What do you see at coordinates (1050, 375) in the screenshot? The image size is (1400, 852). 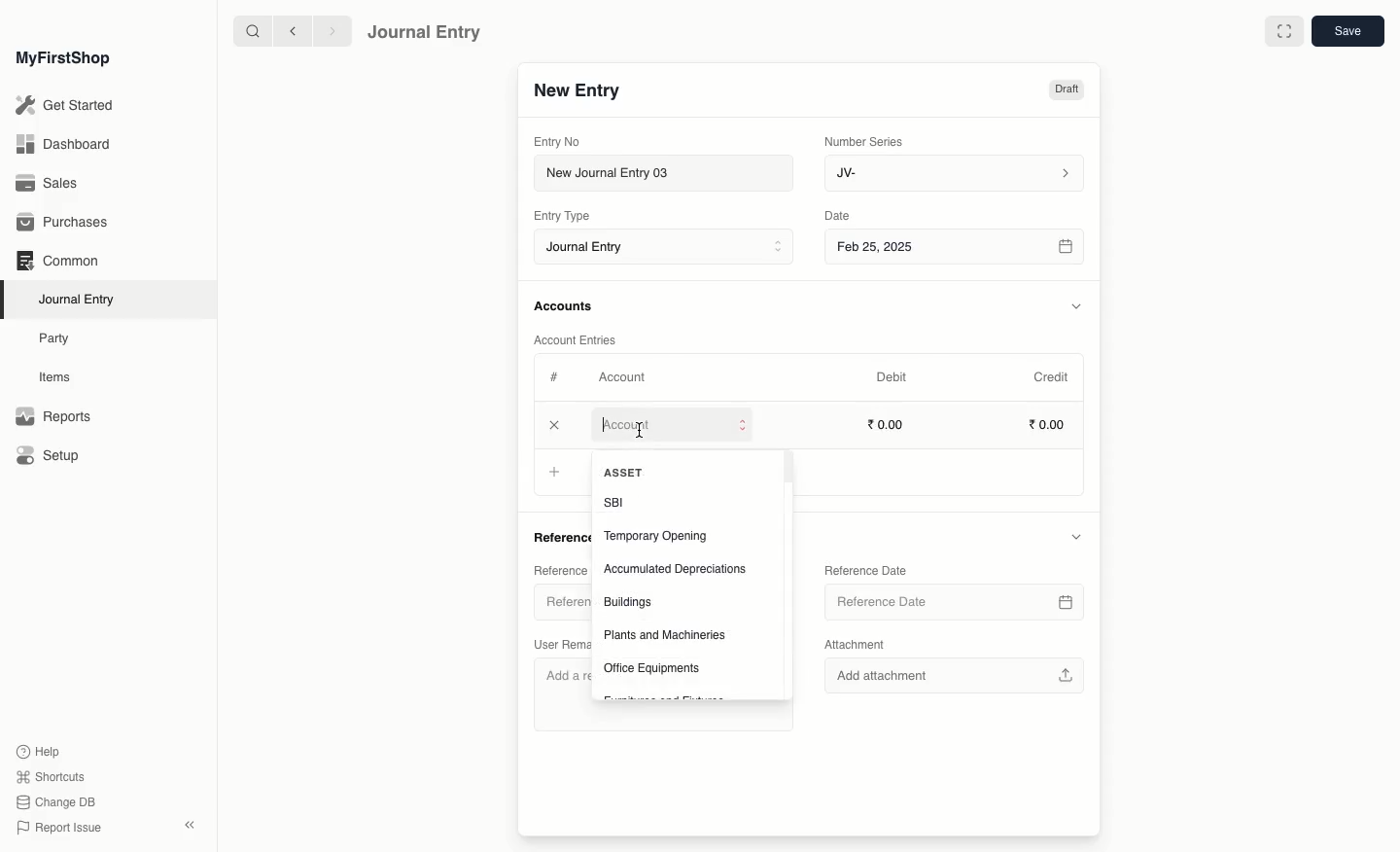 I see `Credit` at bounding box center [1050, 375].